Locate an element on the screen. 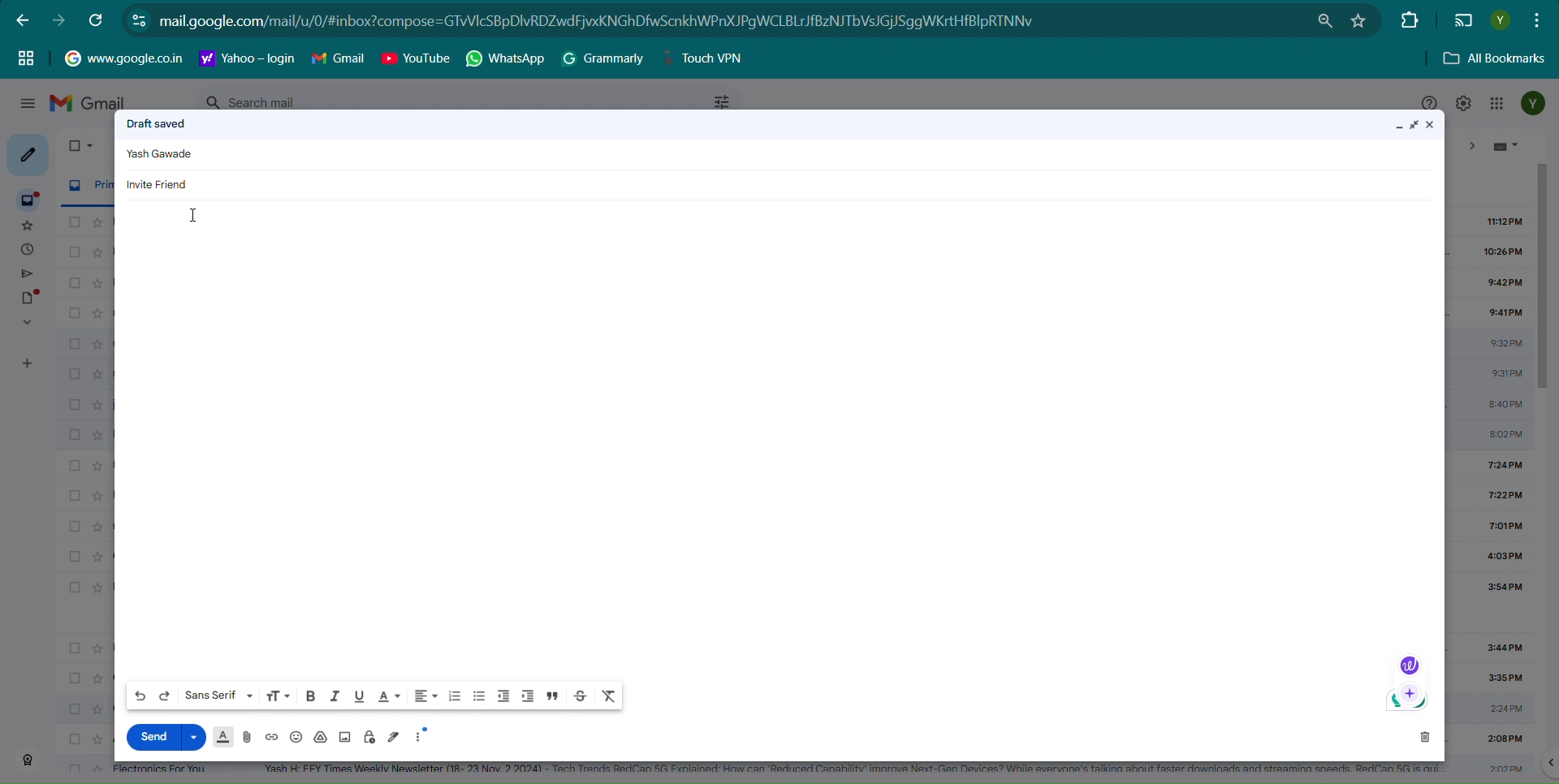 This screenshot has height=784, width=1559. Whatsapp is located at coordinates (507, 59).